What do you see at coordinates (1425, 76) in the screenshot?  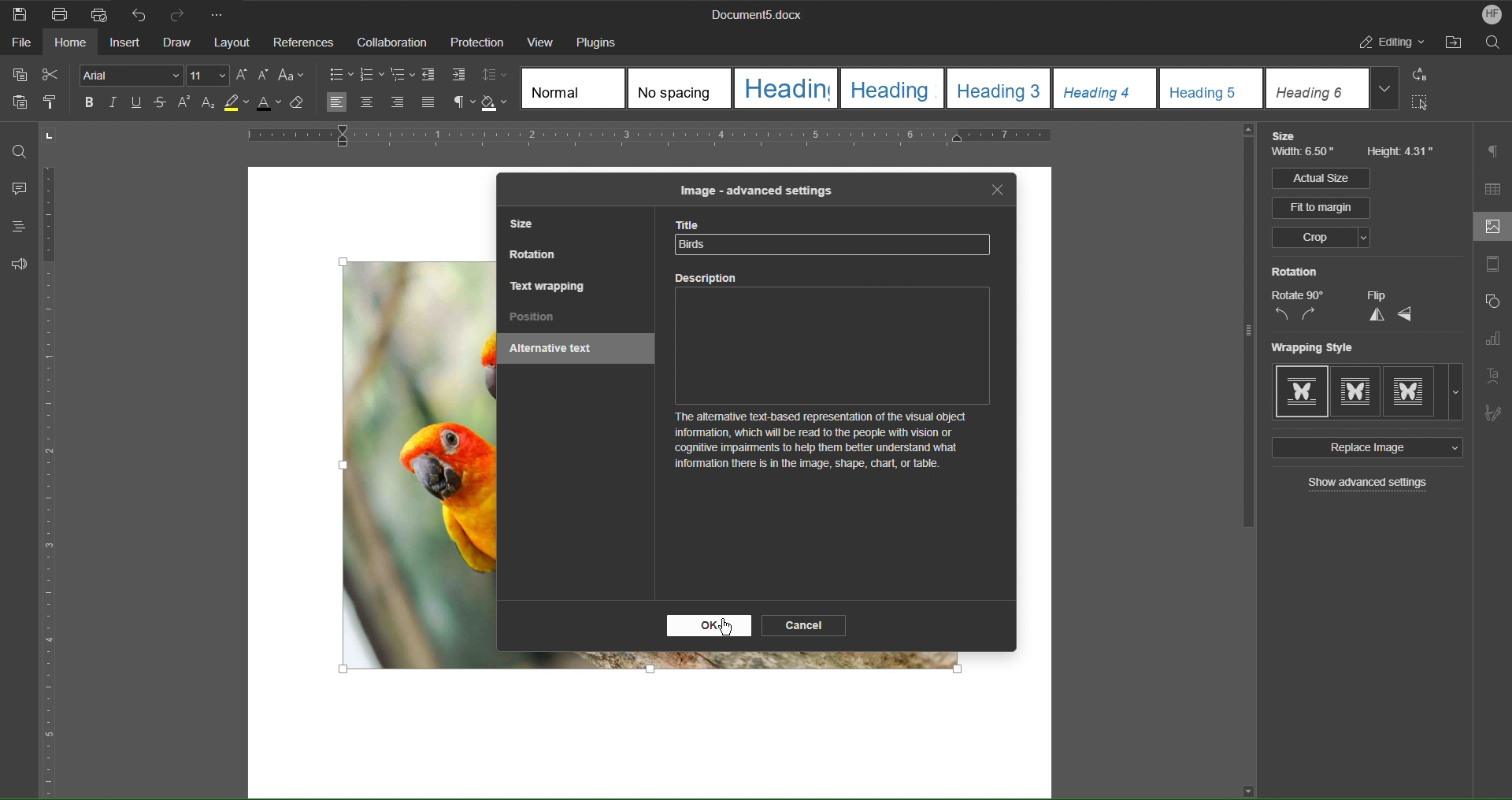 I see `Replace` at bounding box center [1425, 76].